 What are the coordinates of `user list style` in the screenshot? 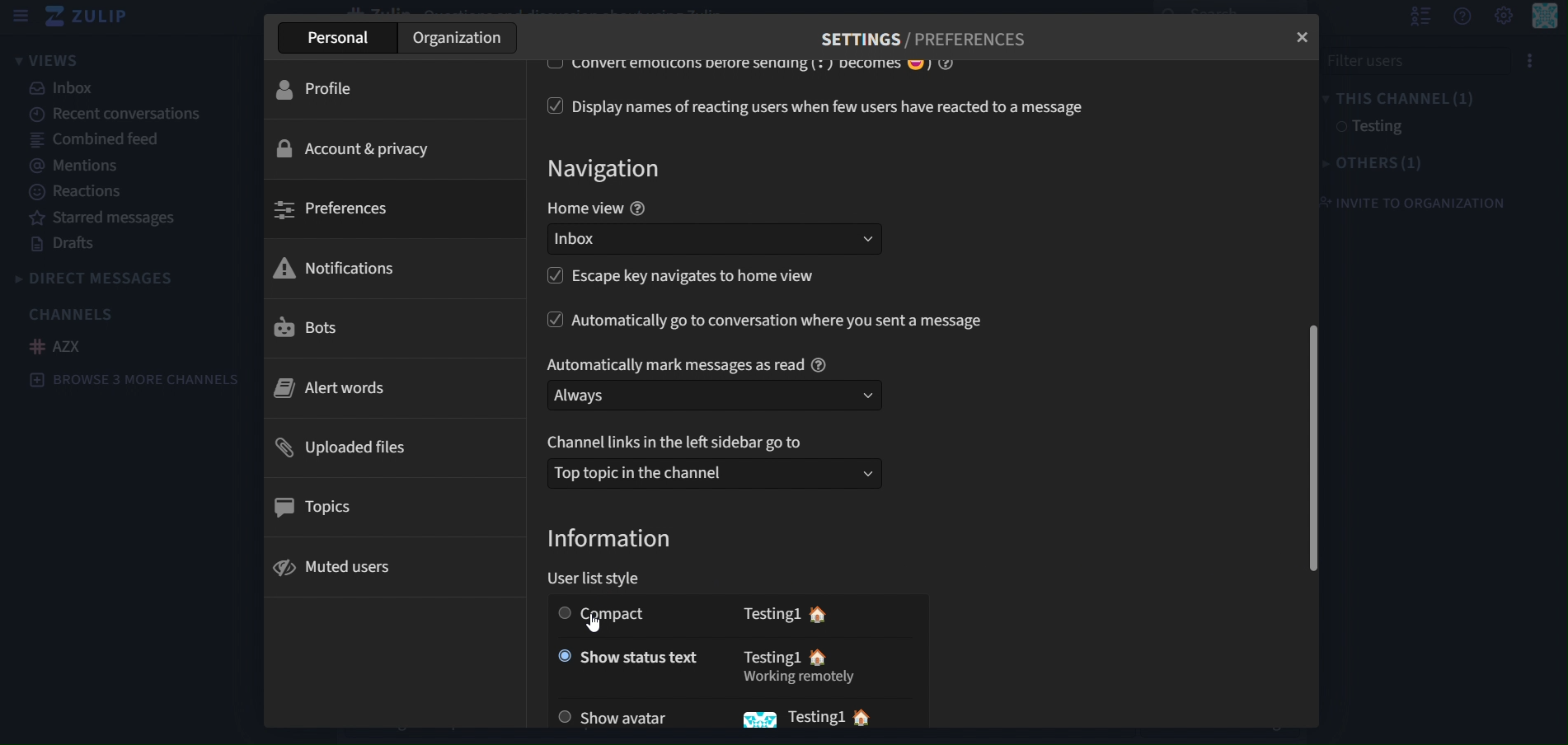 It's located at (602, 579).